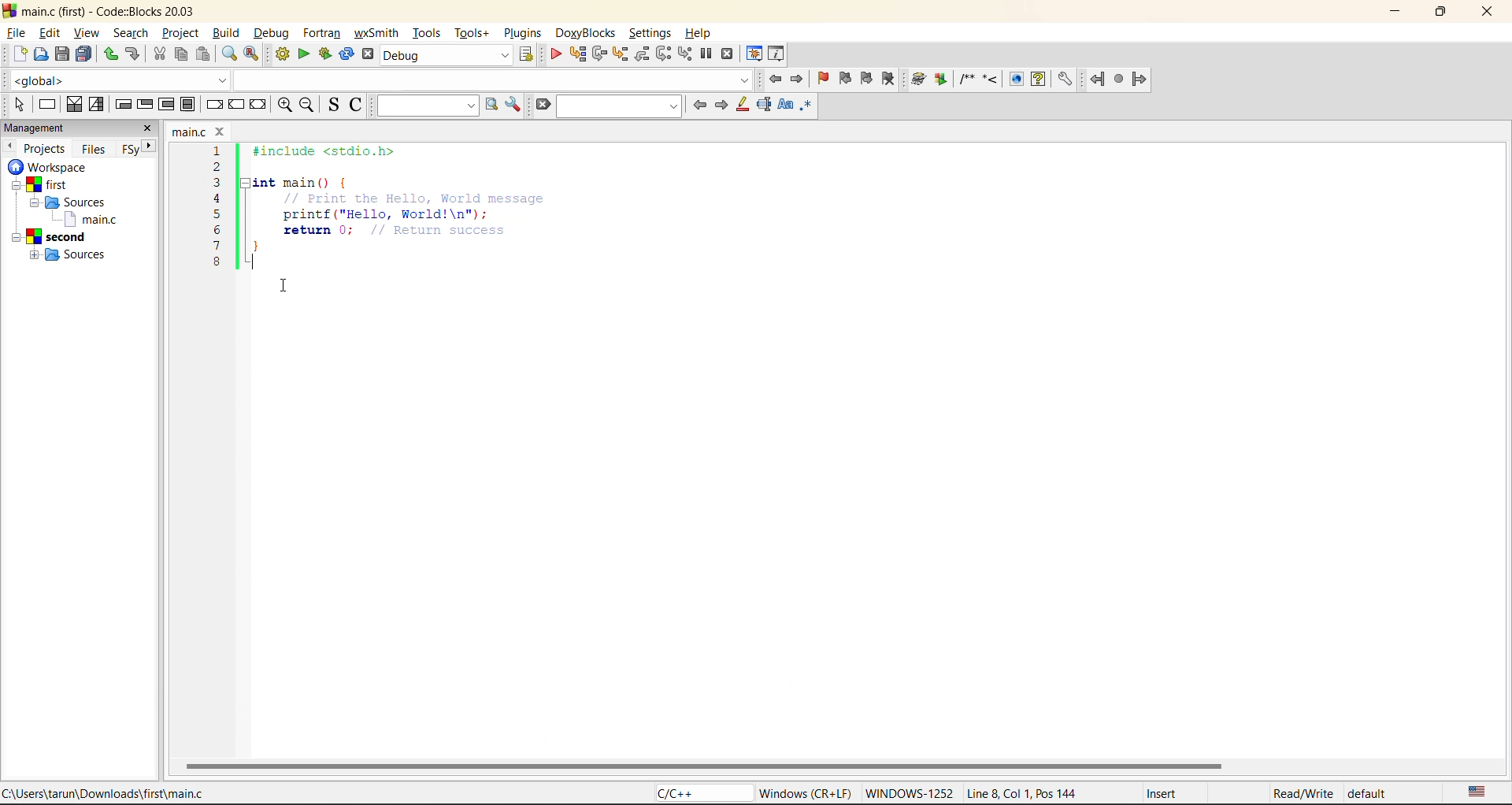 This screenshot has width=1512, height=805. I want to click on run doxy wizard, so click(918, 78).